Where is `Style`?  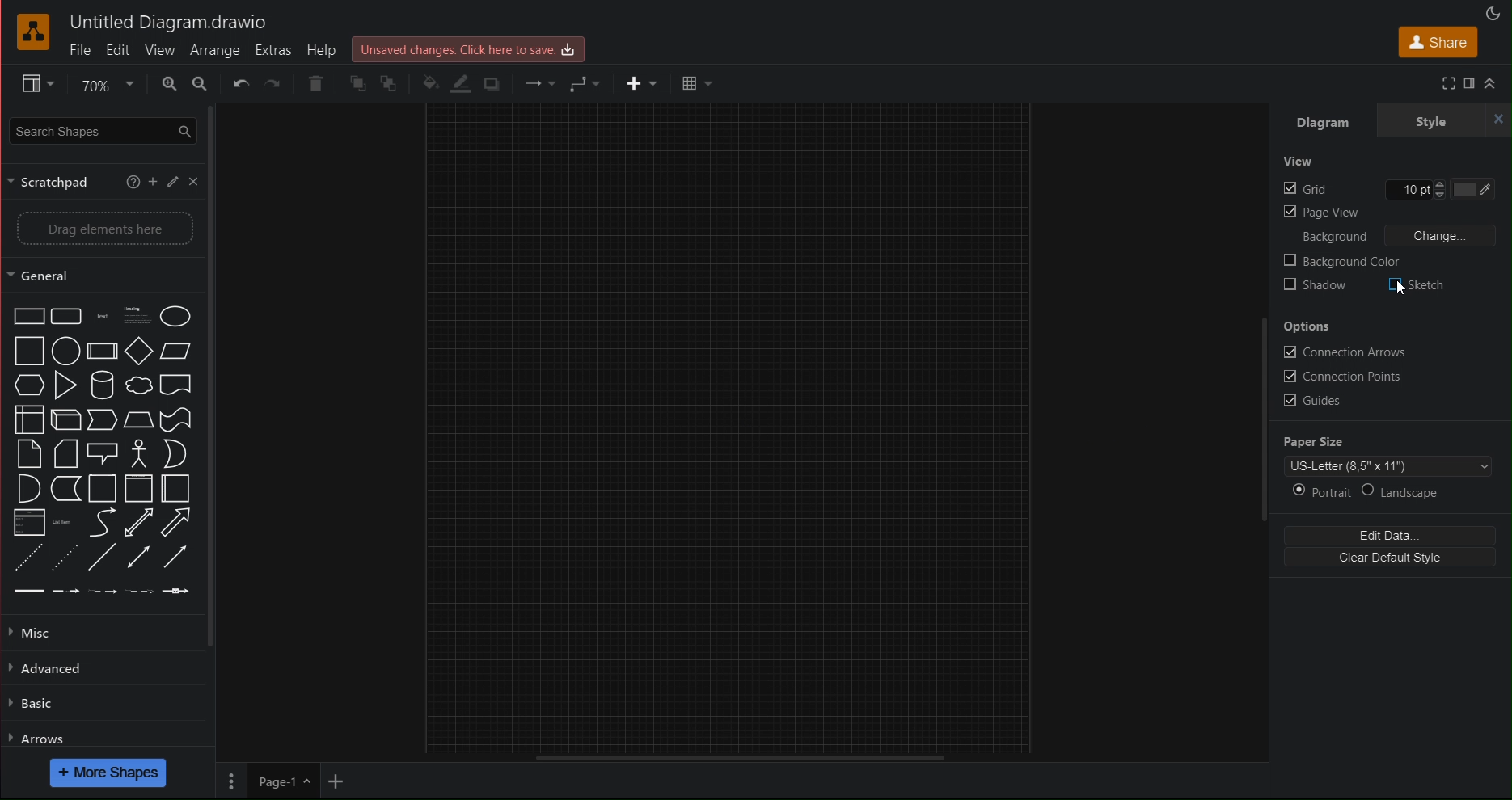 Style is located at coordinates (1432, 121).